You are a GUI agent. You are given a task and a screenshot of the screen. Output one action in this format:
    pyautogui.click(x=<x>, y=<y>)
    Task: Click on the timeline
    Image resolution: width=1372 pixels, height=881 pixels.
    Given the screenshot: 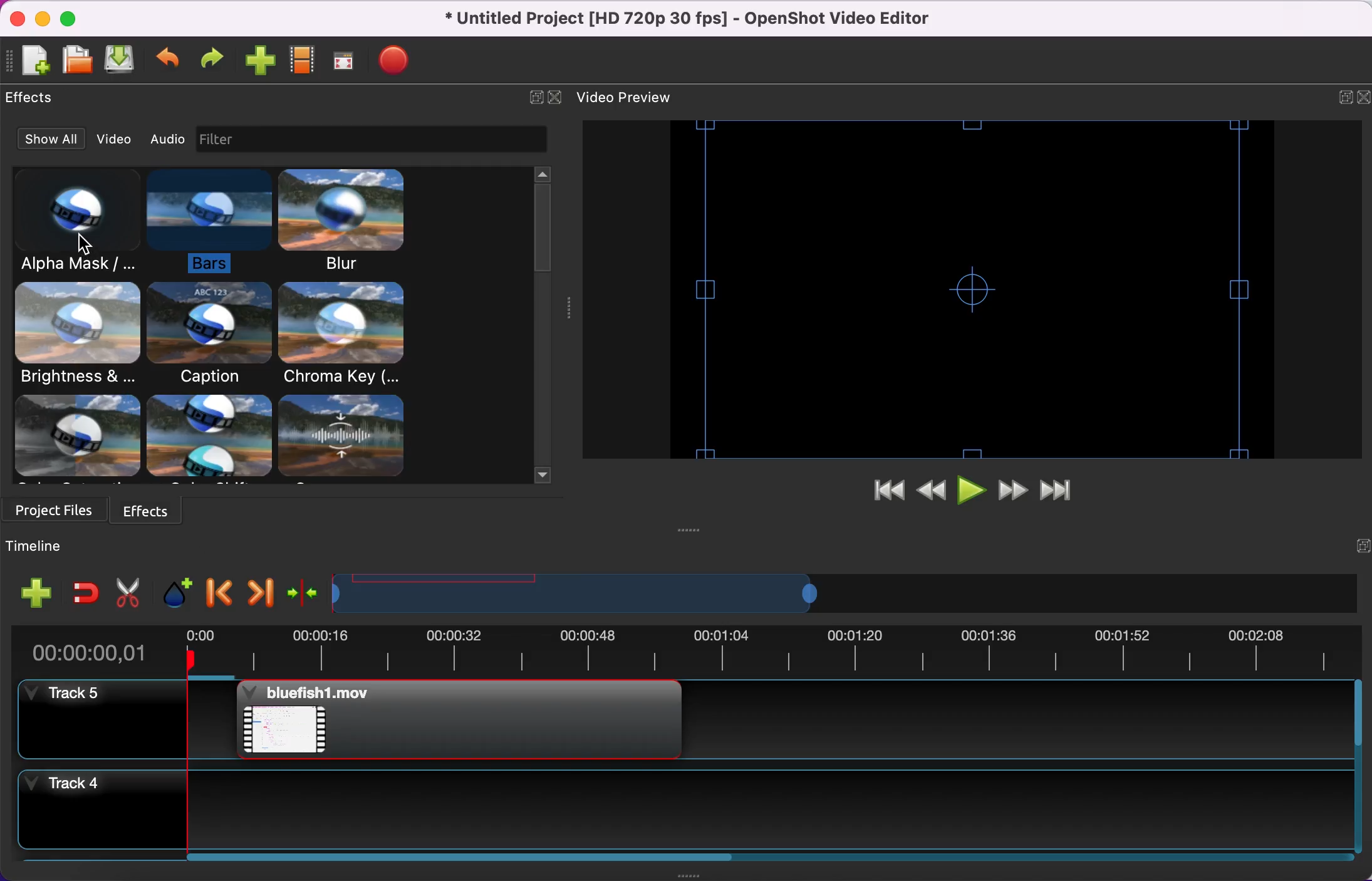 What is the action you would take?
    pyautogui.click(x=61, y=548)
    